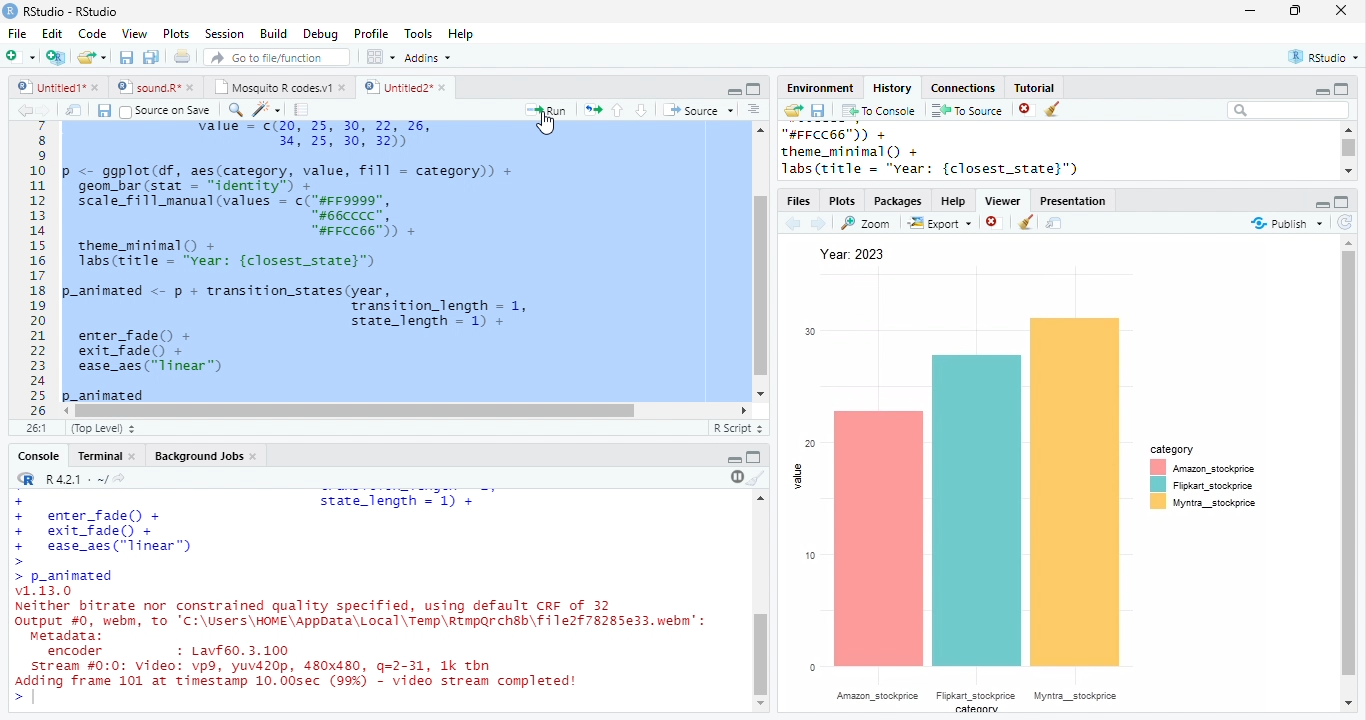  What do you see at coordinates (75, 111) in the screenshot?
I see `show in new window` at bounding box center [75, 111].